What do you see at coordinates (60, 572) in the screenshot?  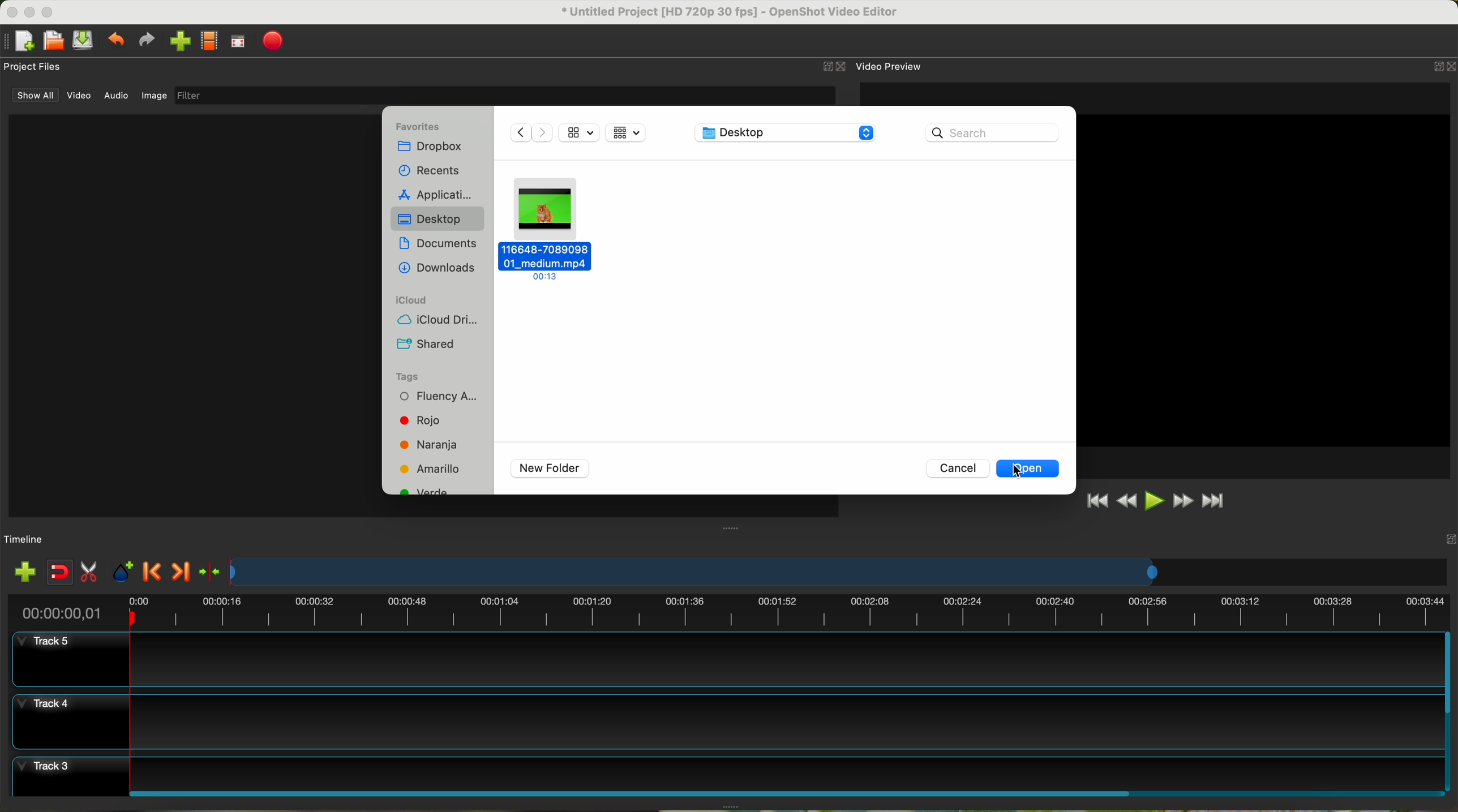 I see `disable snapping` at bounding box center [60, 572].